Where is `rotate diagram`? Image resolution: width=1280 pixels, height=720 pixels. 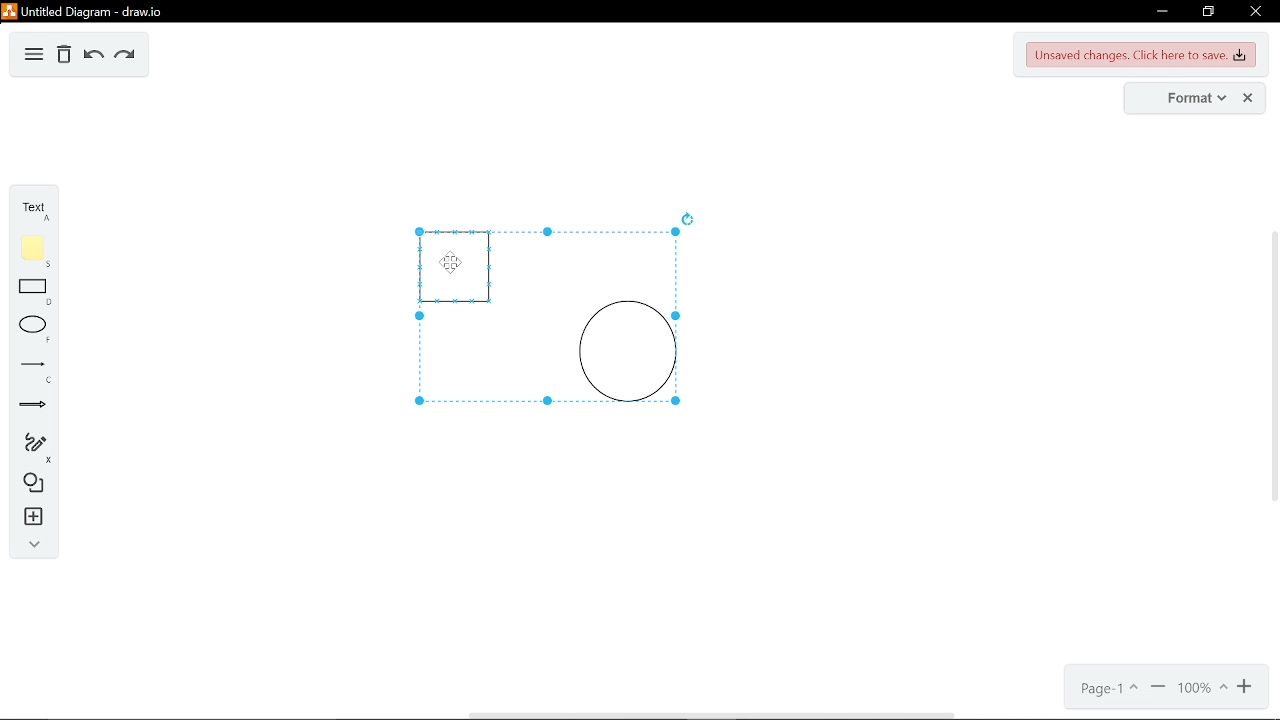 rotate diagram is located at coordinates (690, 219).